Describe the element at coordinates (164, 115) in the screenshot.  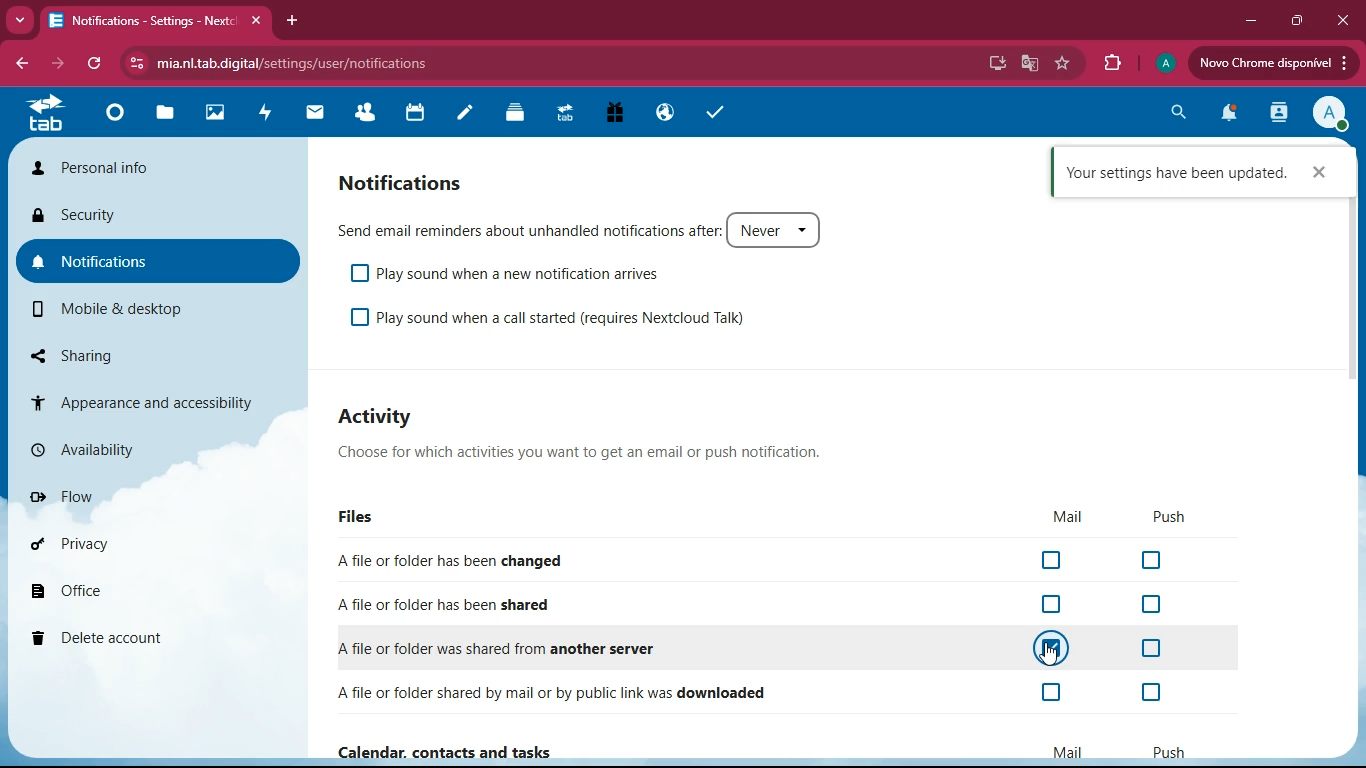
I see `files` at that location.